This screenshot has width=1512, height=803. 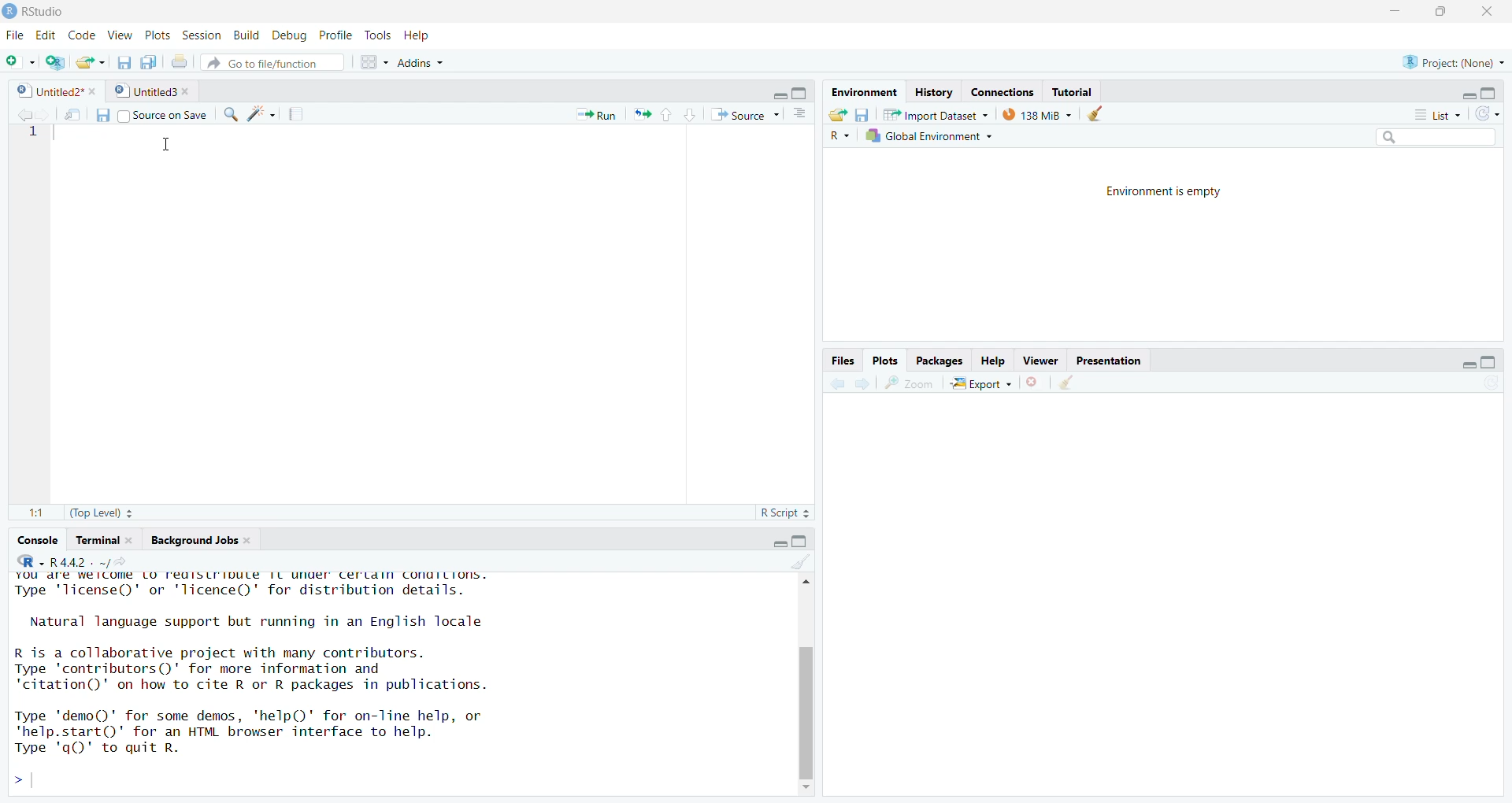 What do you see at coordinates (1043, 359) in the screenshot?
I see `—` at bounding box center [1043, 359].